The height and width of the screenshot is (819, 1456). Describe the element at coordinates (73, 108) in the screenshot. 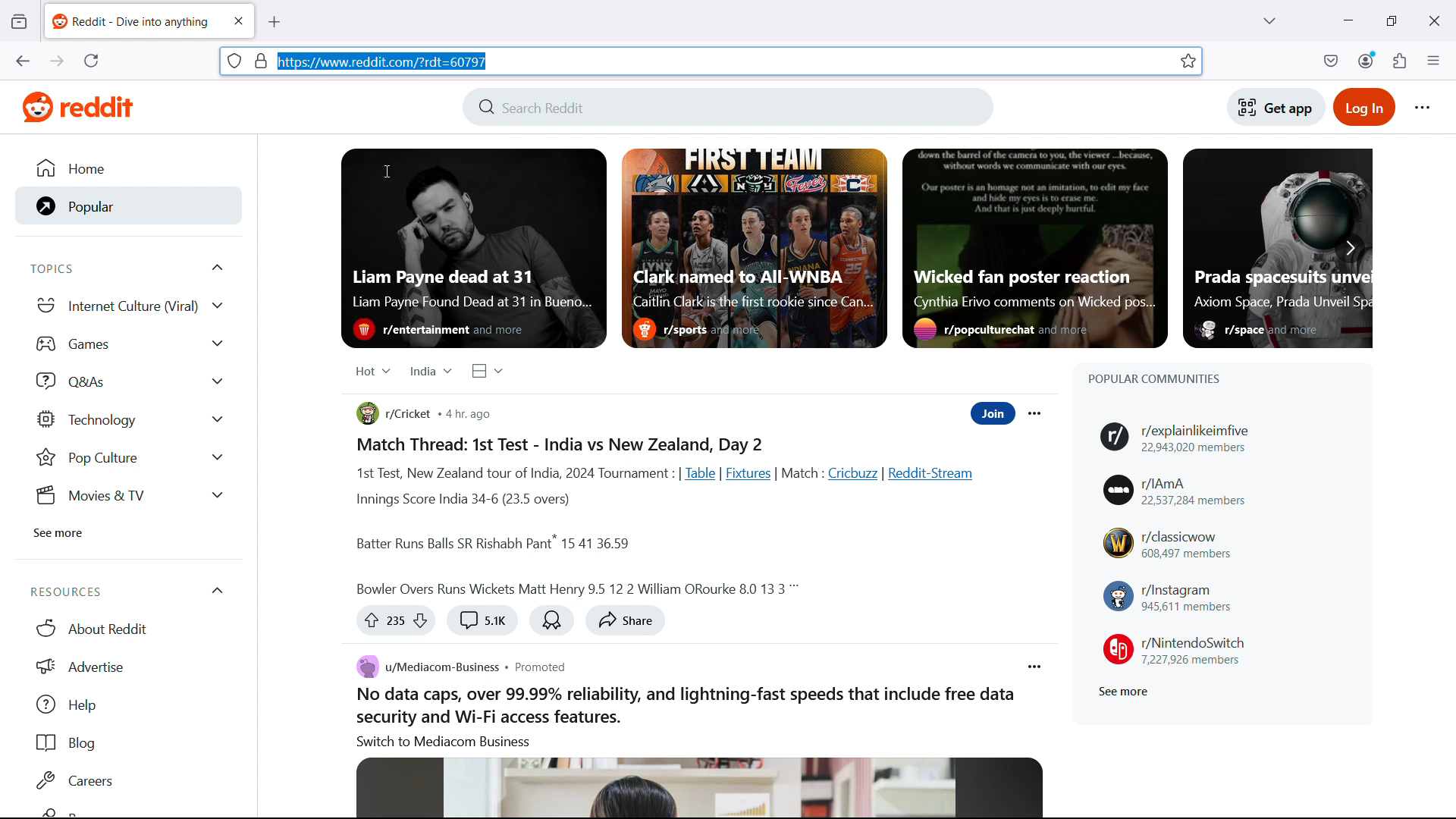

I see `Website logo ` at that location.